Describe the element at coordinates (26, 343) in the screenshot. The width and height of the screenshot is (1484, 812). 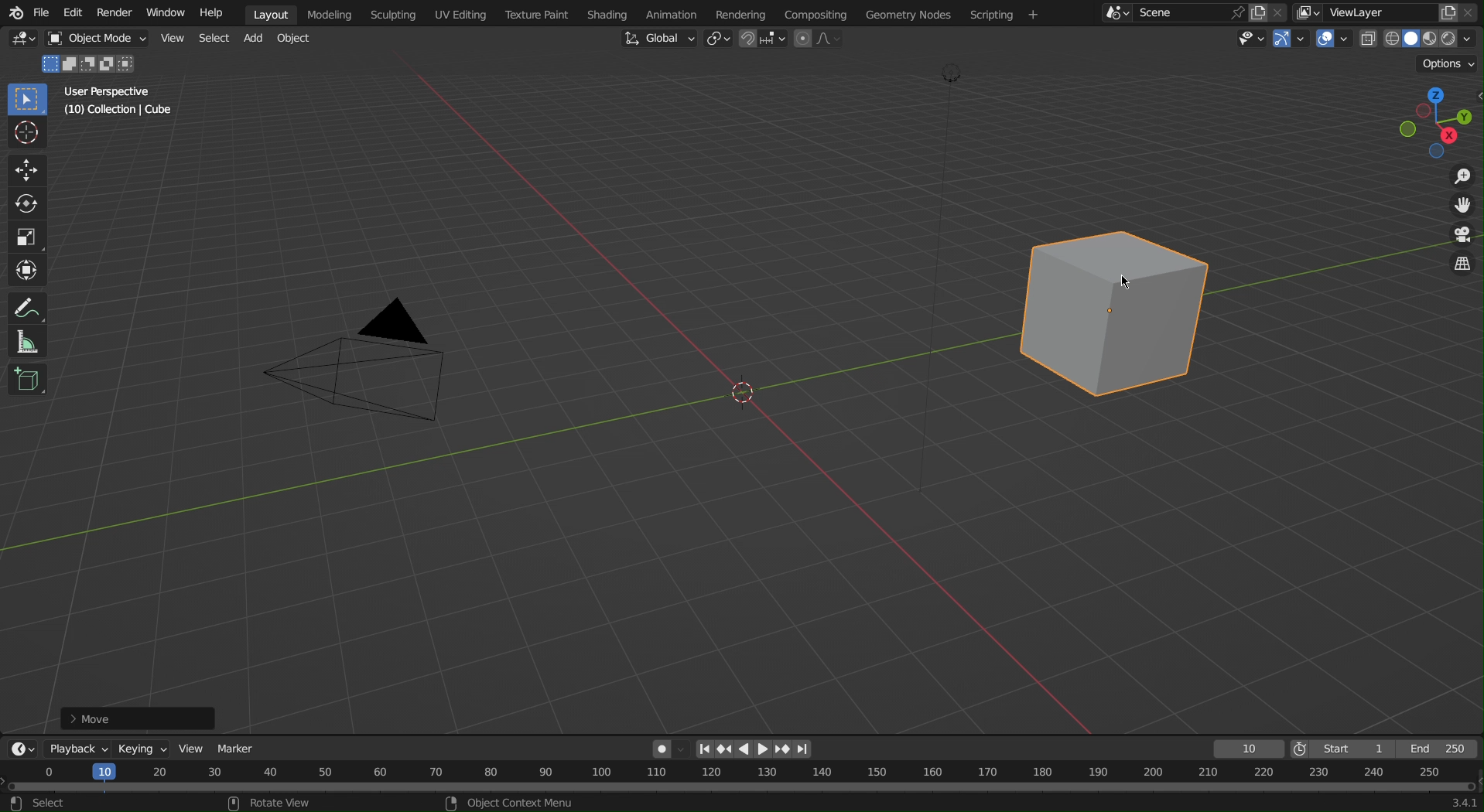
I see `Measure` at that location.